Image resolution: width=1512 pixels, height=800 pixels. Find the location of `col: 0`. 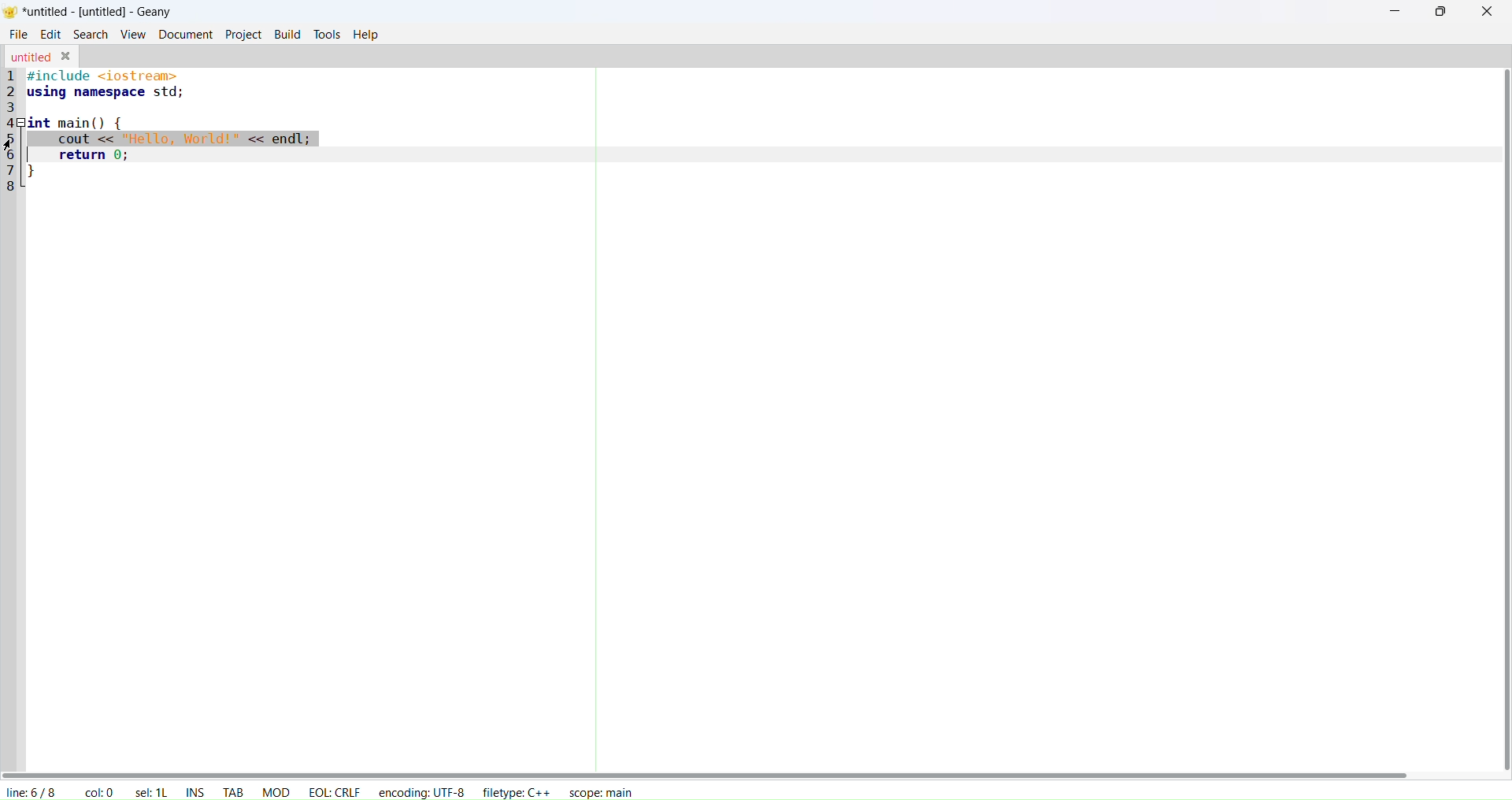

col: 0 is located at coordinates (96, 791).